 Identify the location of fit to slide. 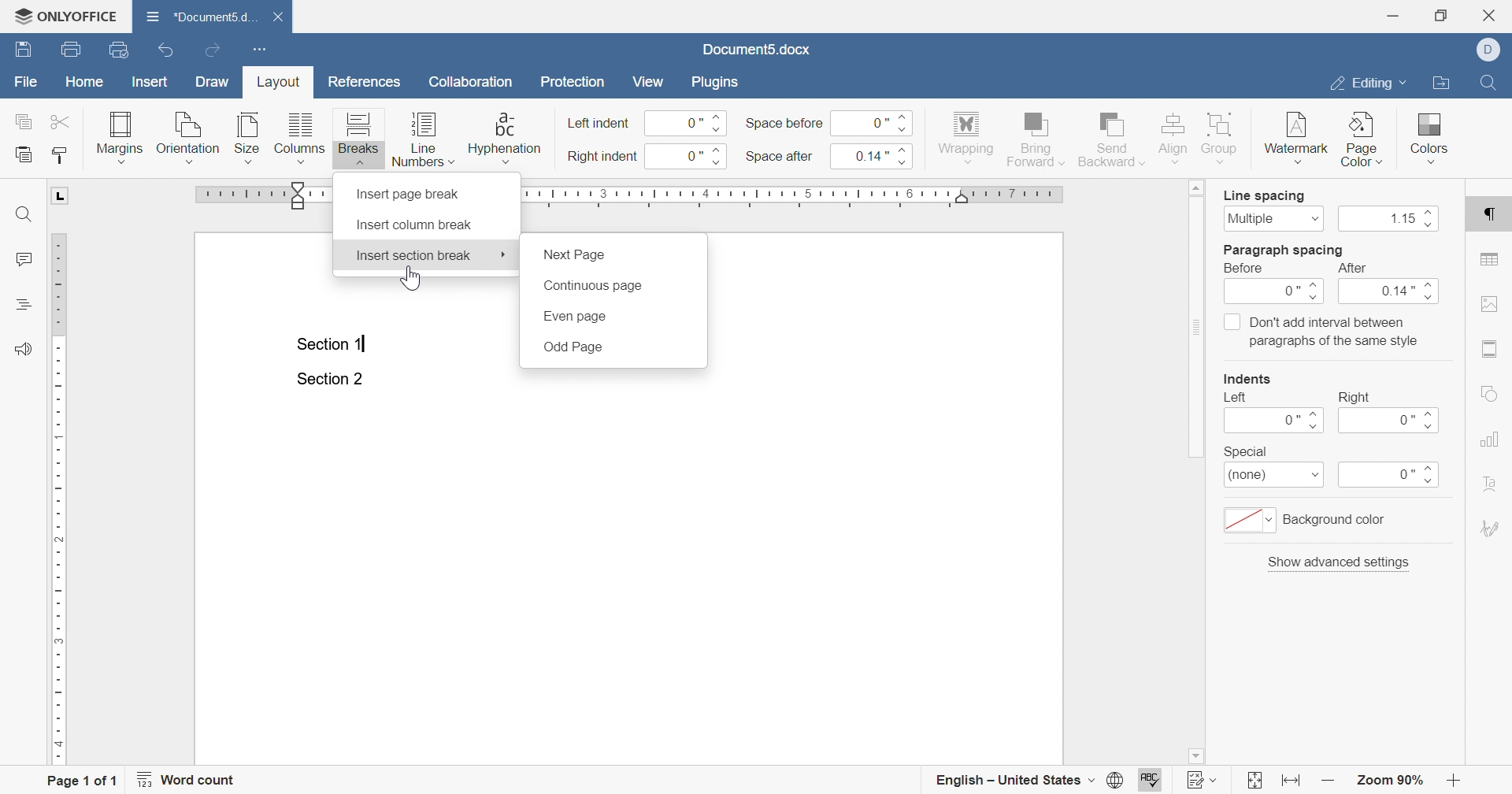
(1254, 781).